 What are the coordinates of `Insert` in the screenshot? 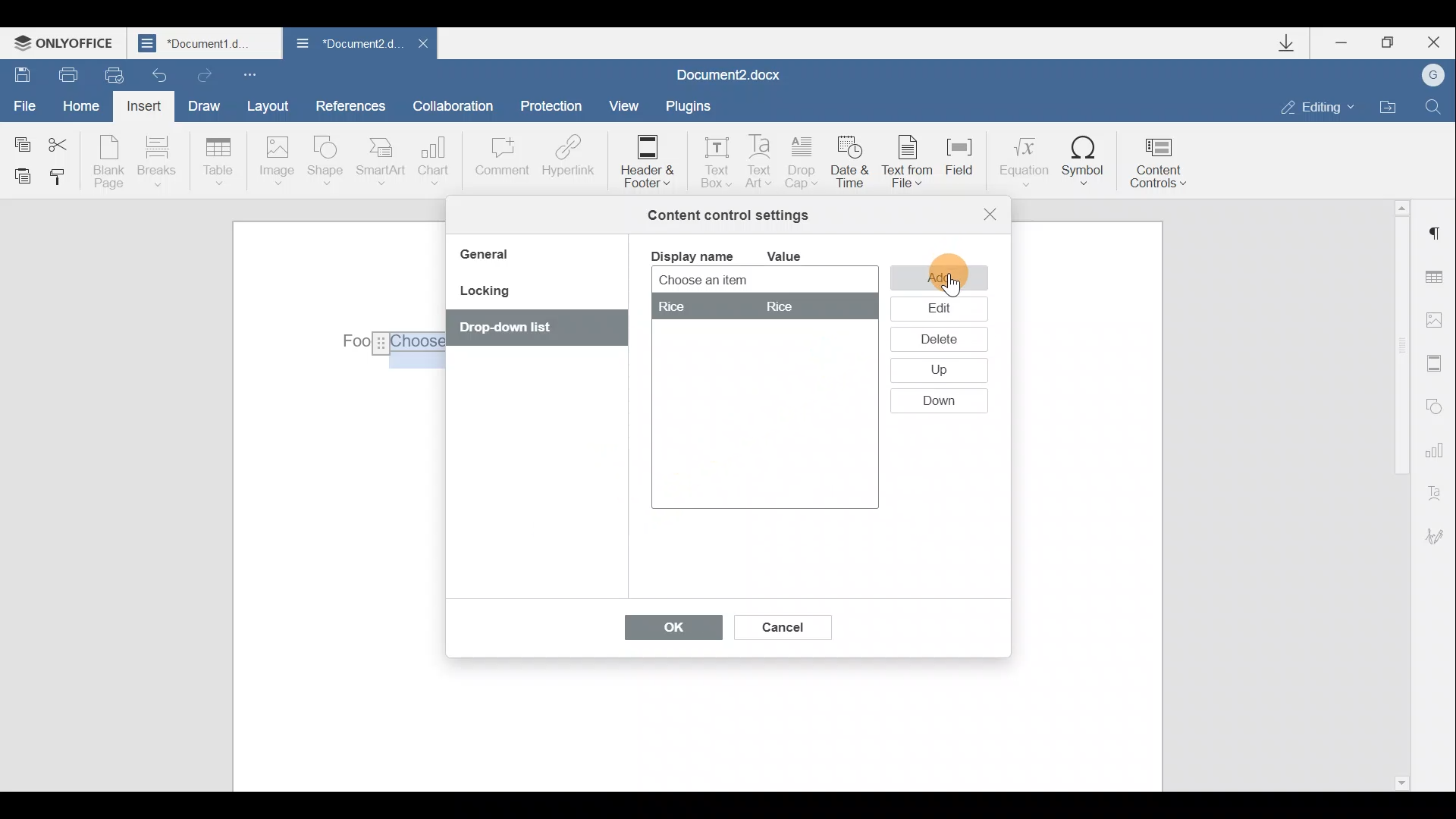 It's located at (146, 109).